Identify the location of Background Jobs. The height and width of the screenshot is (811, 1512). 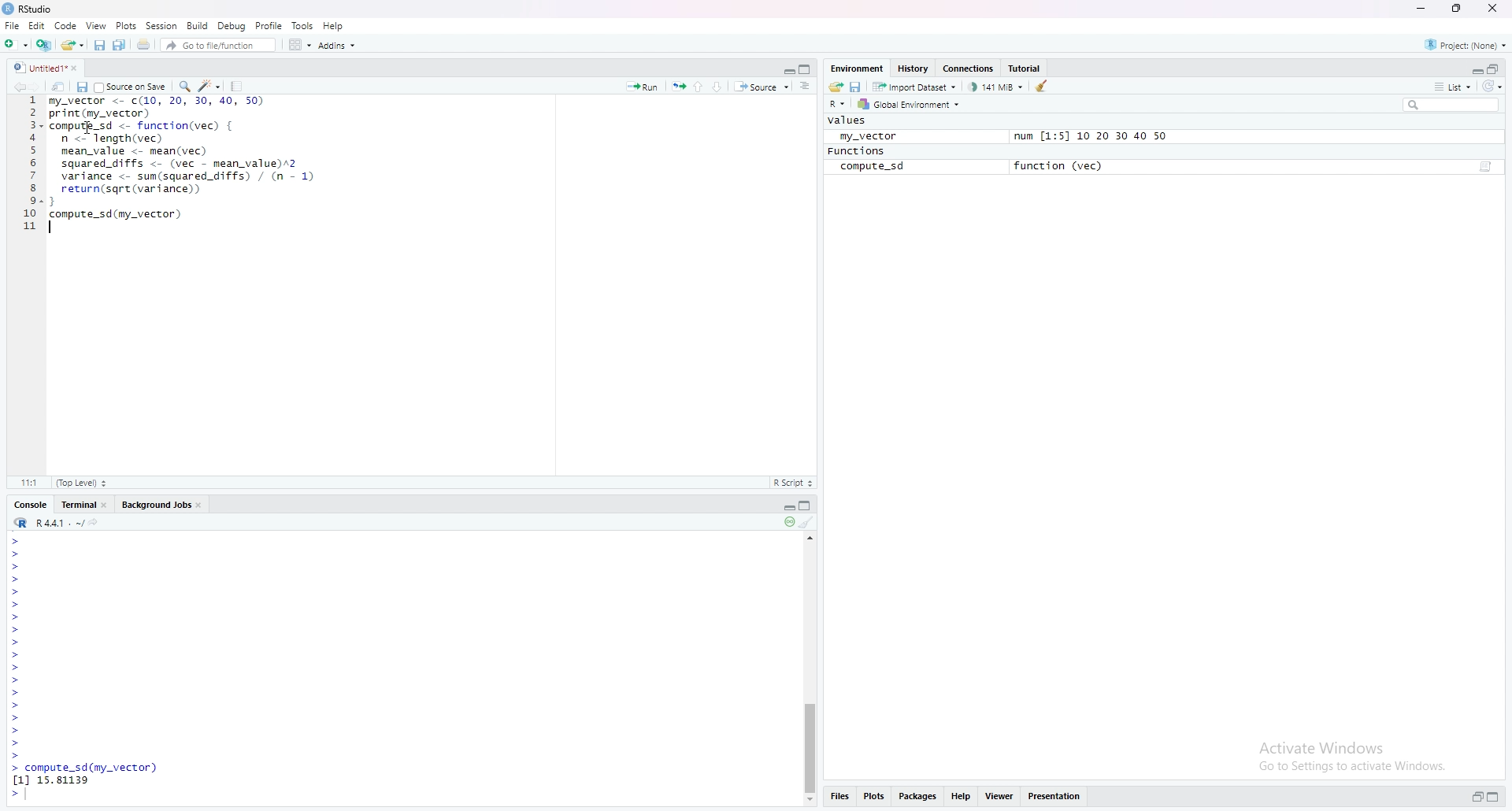
(161, 504).